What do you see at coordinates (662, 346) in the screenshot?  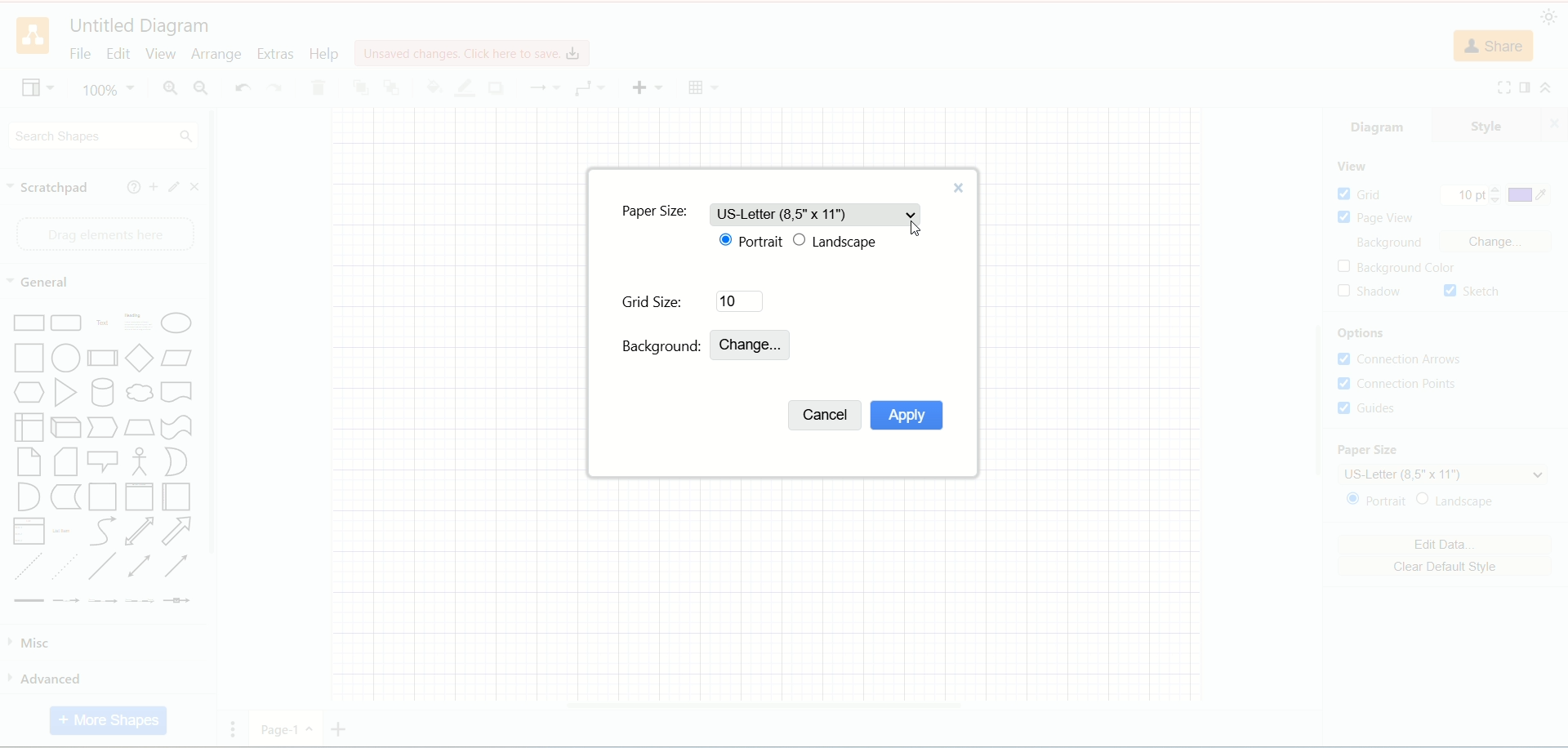 I see `background` at bounding box center [662, 346].